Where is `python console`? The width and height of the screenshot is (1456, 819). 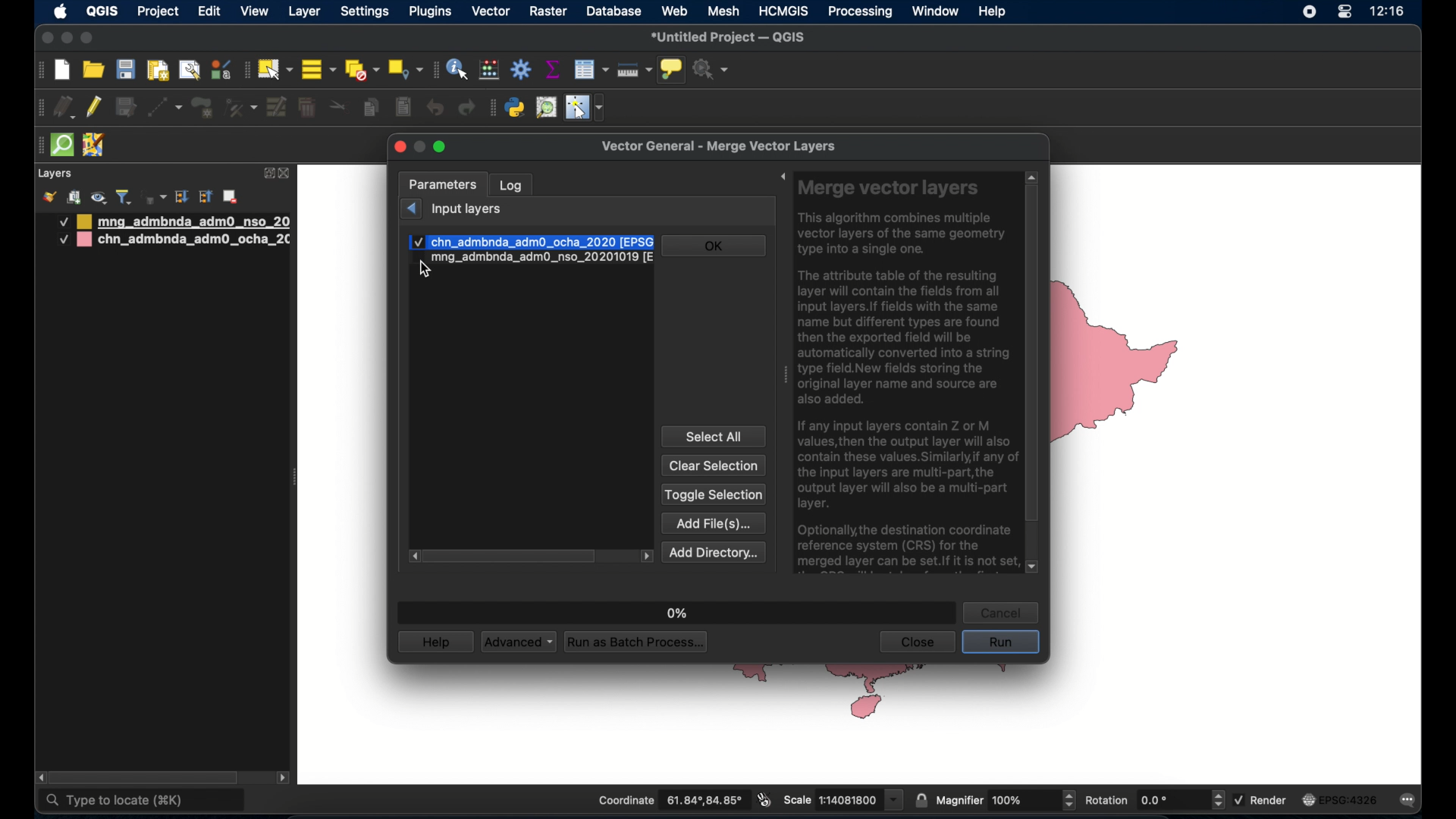 python console is located at coordinates (516, 108).